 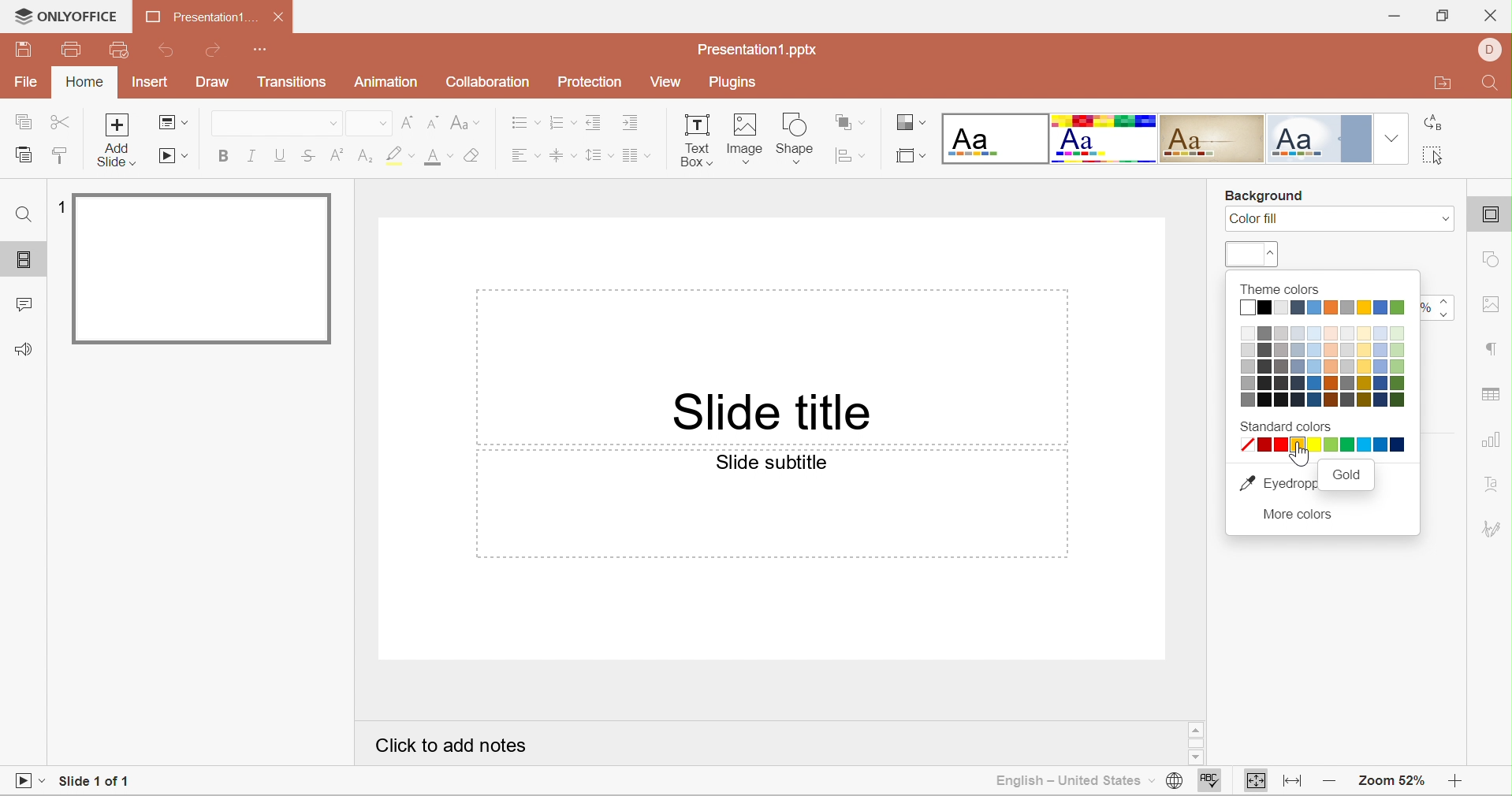 What do you see at coordinates (1347, 474) in the screenshot?
I see `Gold` at bounding box center [1347, 474].